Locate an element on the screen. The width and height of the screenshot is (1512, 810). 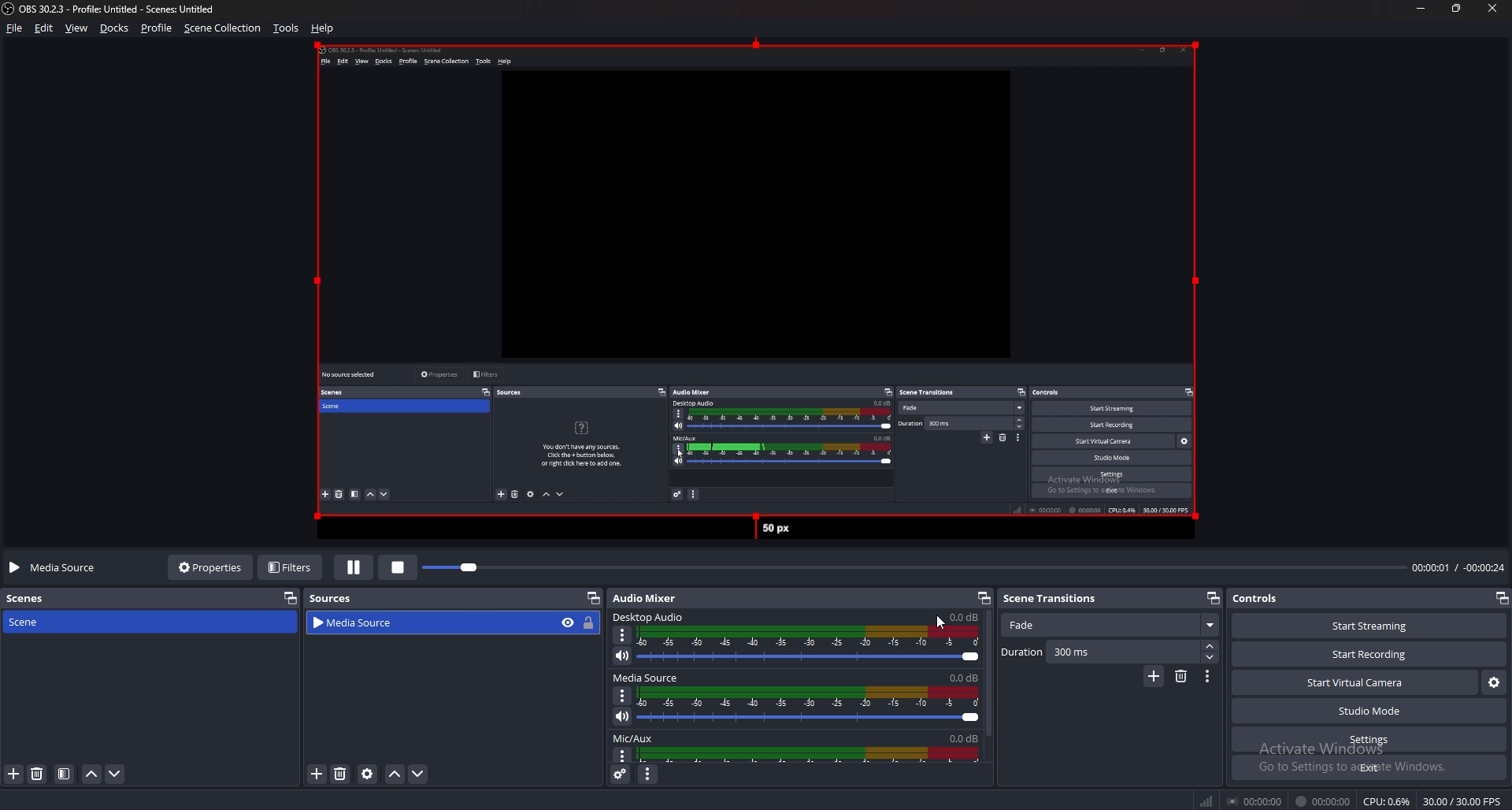
pop out is located at coordinates (986, 599).